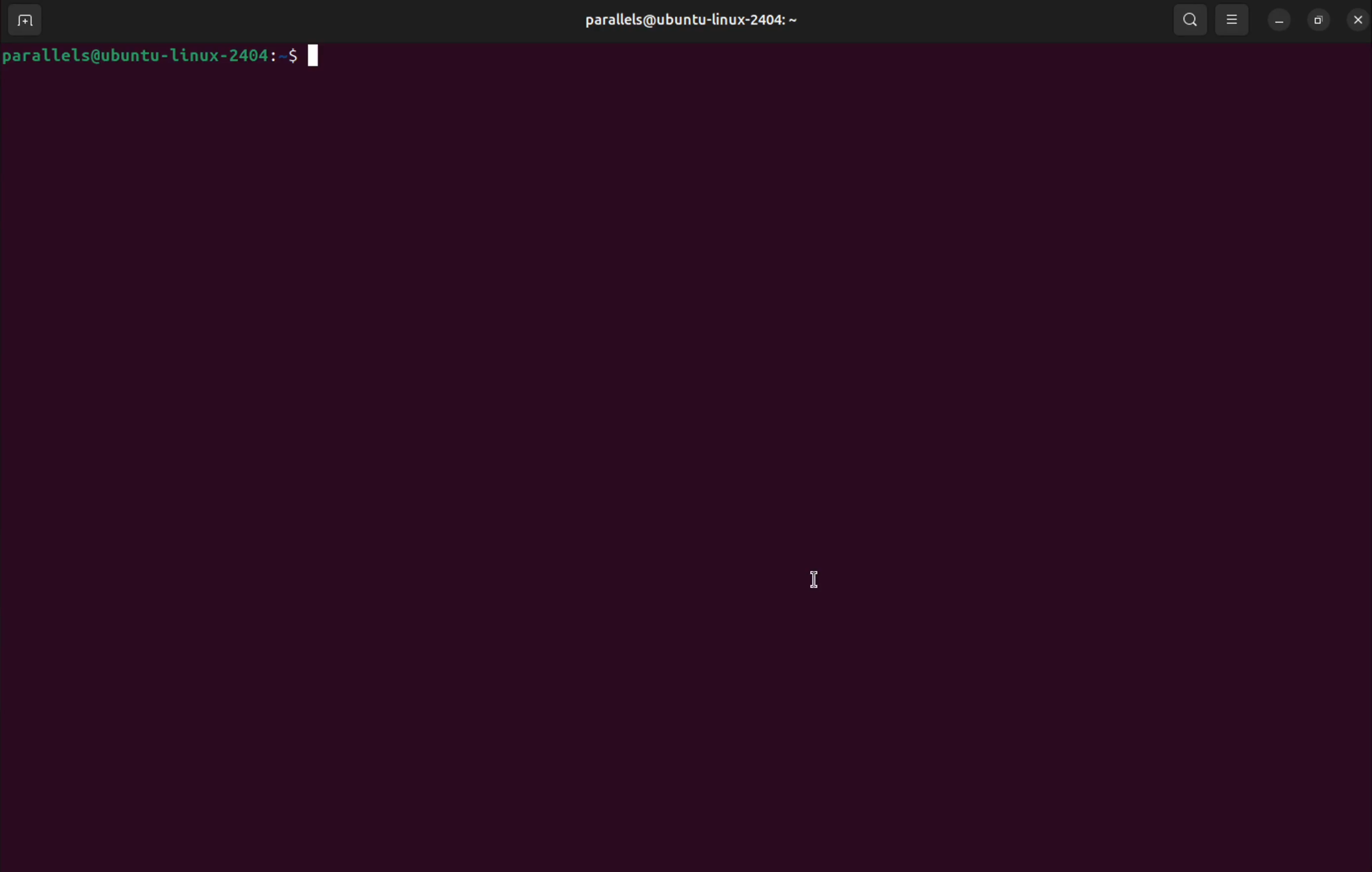  I want to click on close, so click(1354, 19).